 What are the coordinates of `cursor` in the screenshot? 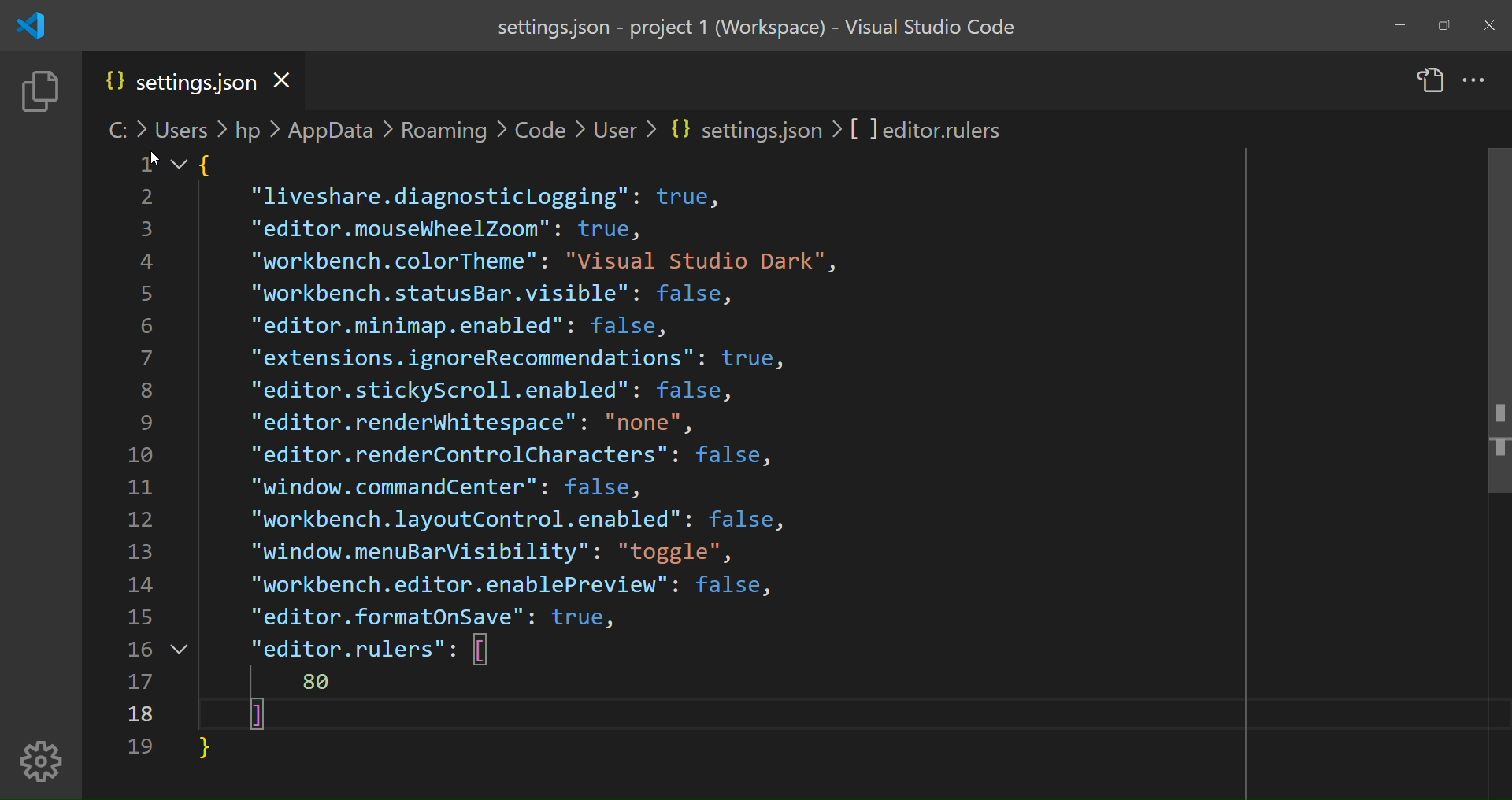 It's located at (151, 157).